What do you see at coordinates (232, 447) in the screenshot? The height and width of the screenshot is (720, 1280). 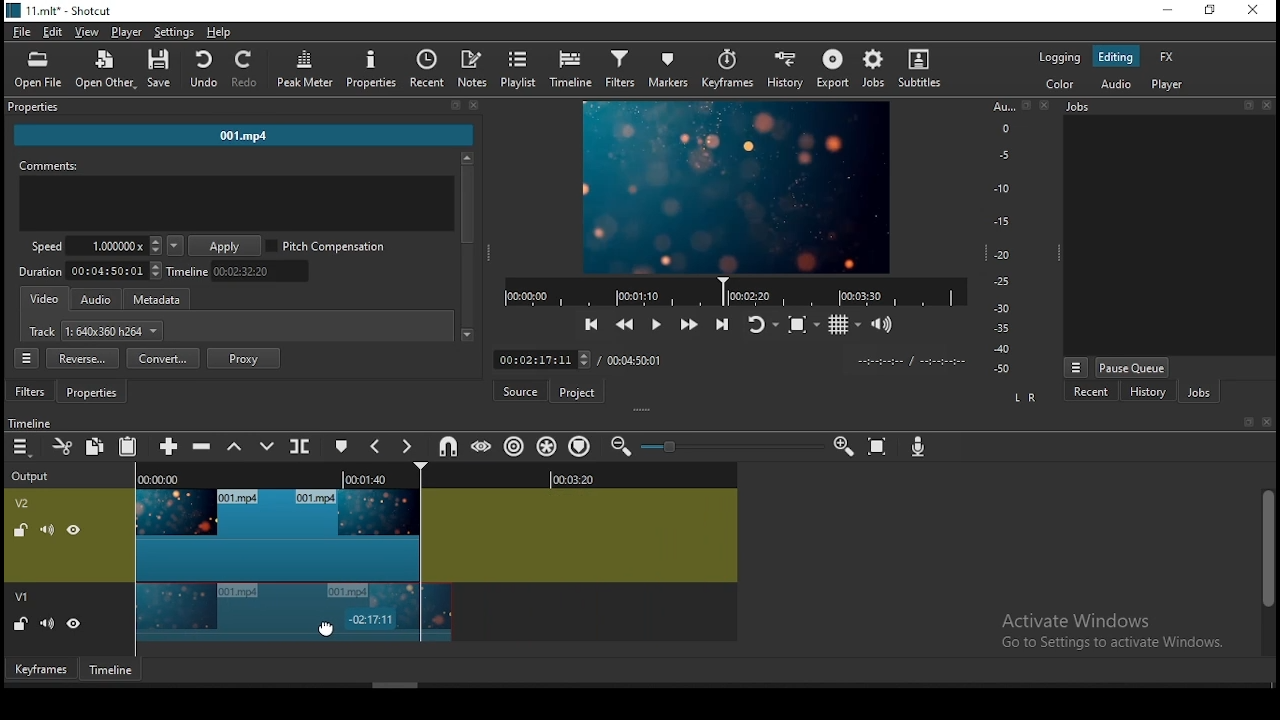 I see `lift` at bounding box center [232, 447].